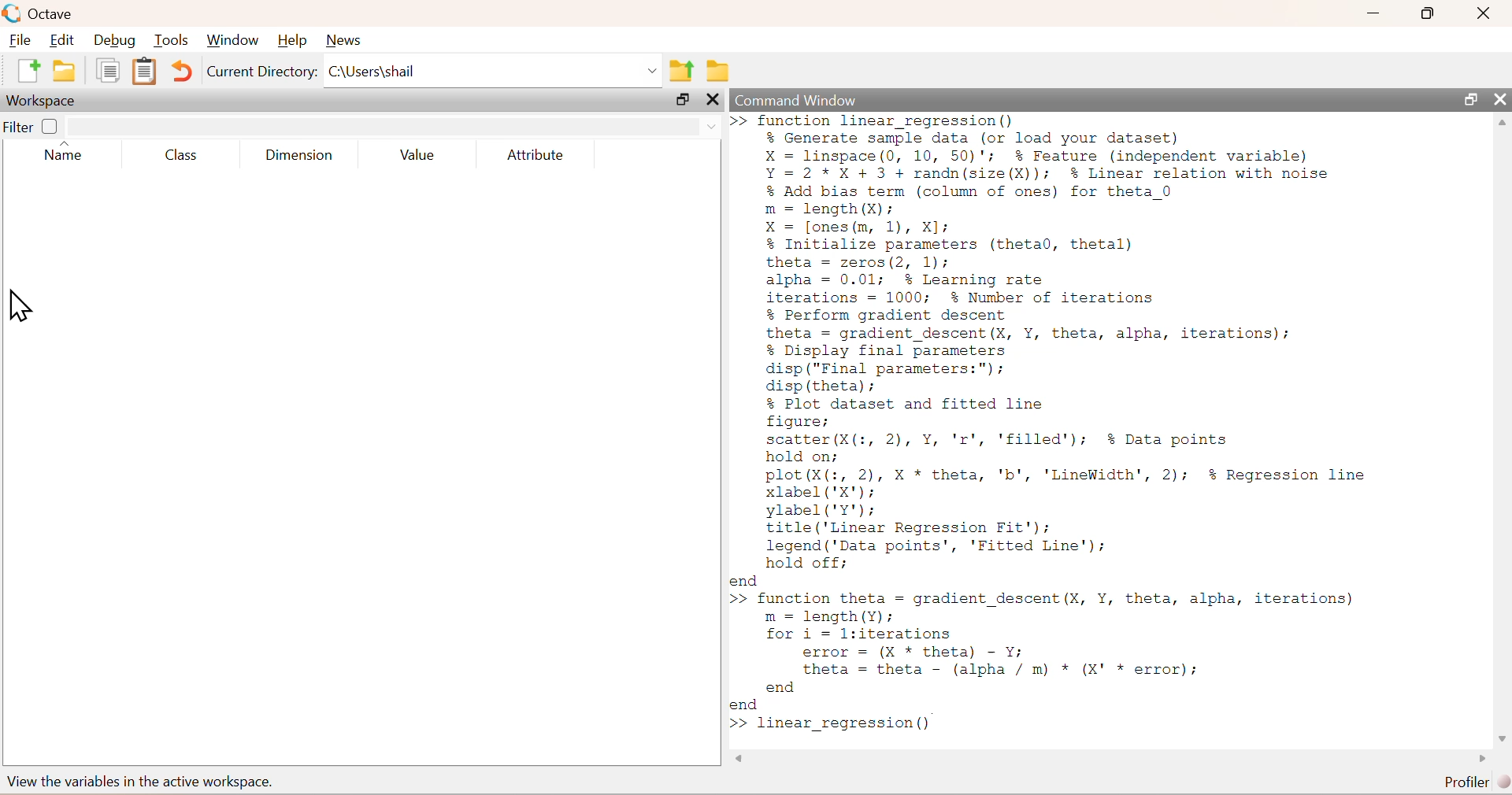  What do you see at coordinates (739, 758) in the screenshot?
I see `scroll right` at bounding box center [739, 758].